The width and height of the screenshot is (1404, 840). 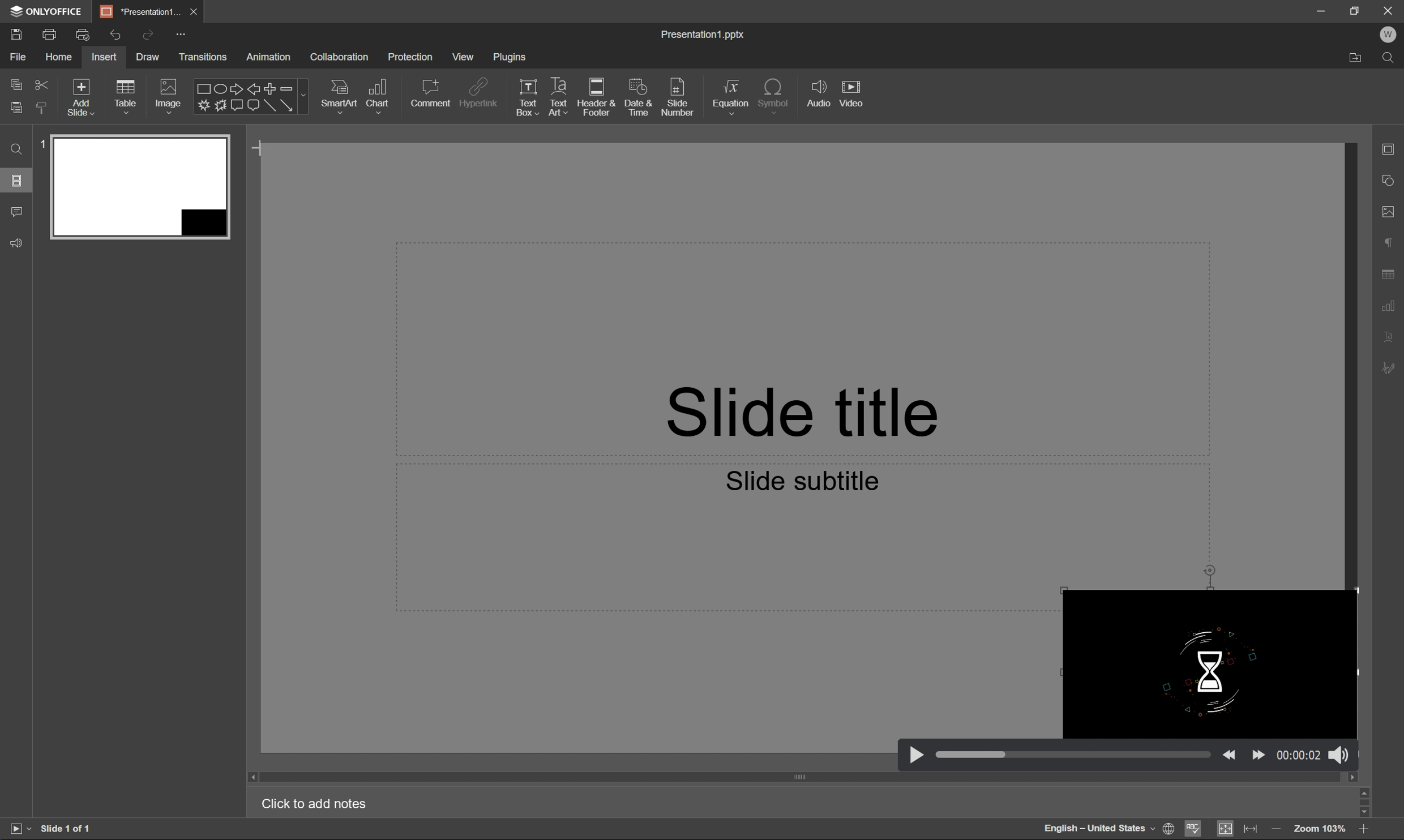 I want to click on close, so click(x=196, y=11).